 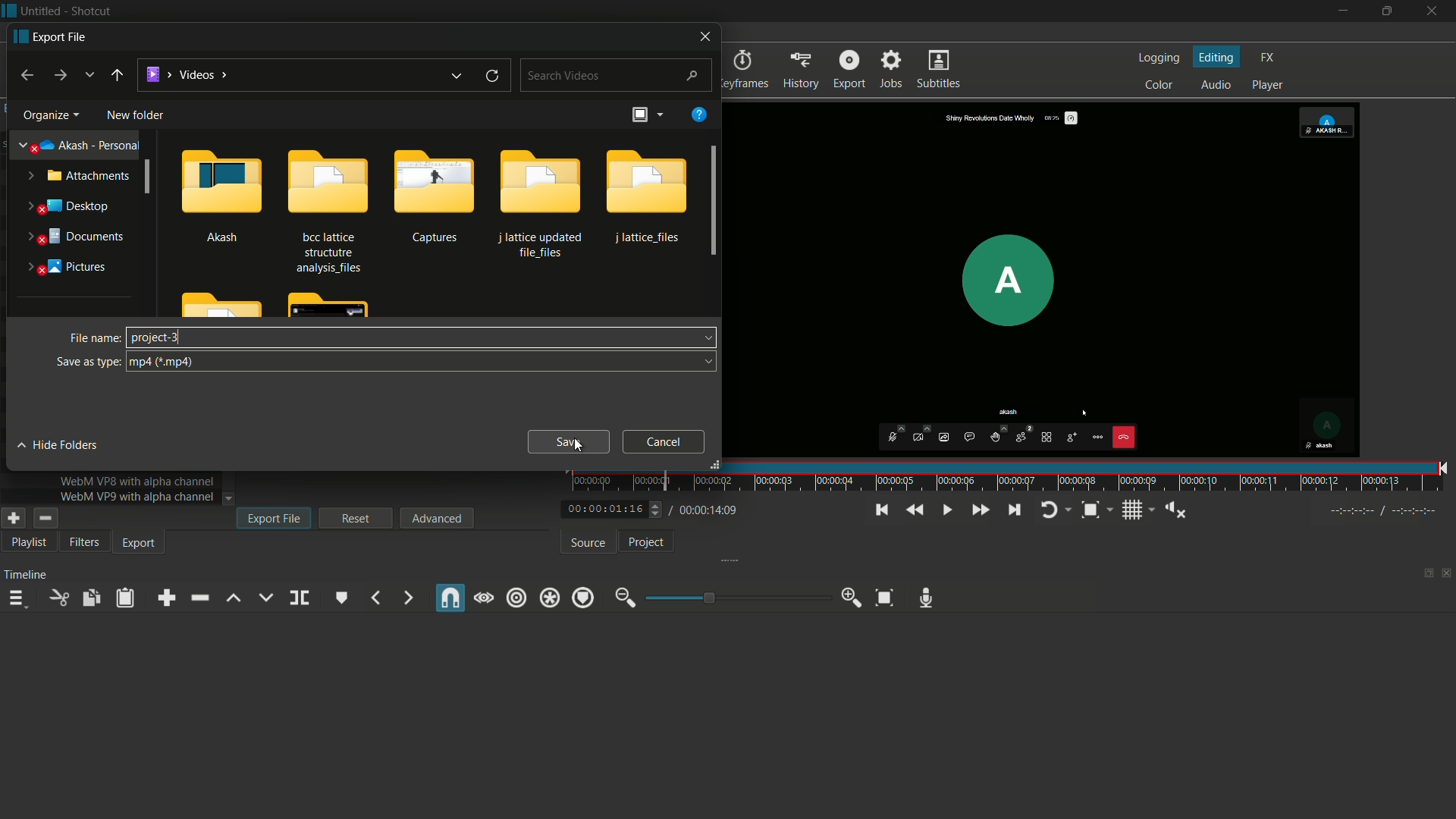 I want to click on toggle player looping, so click(x=1050, y=510).